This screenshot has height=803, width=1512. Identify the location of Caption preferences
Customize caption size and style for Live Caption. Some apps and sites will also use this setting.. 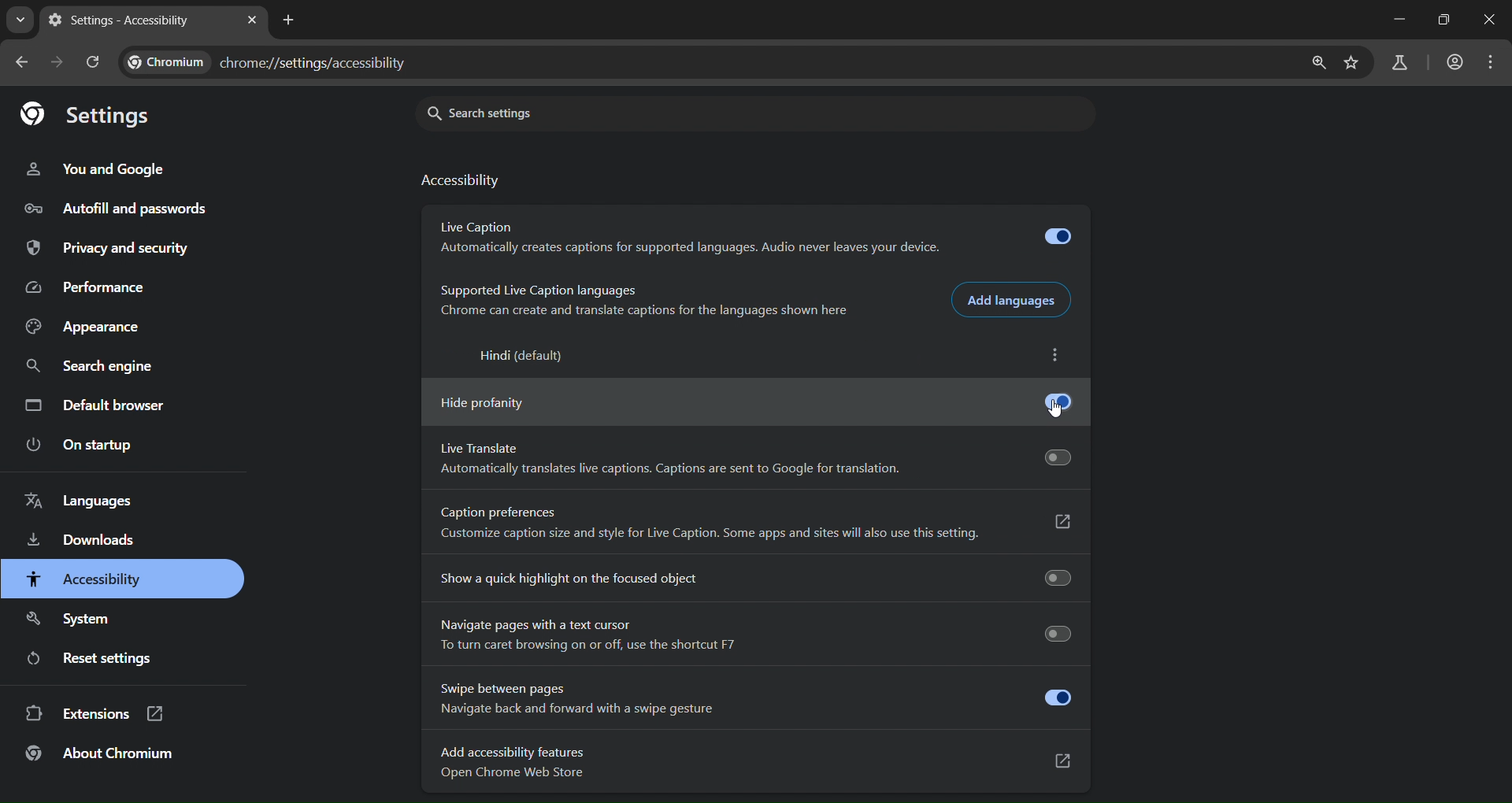
(754, 527).